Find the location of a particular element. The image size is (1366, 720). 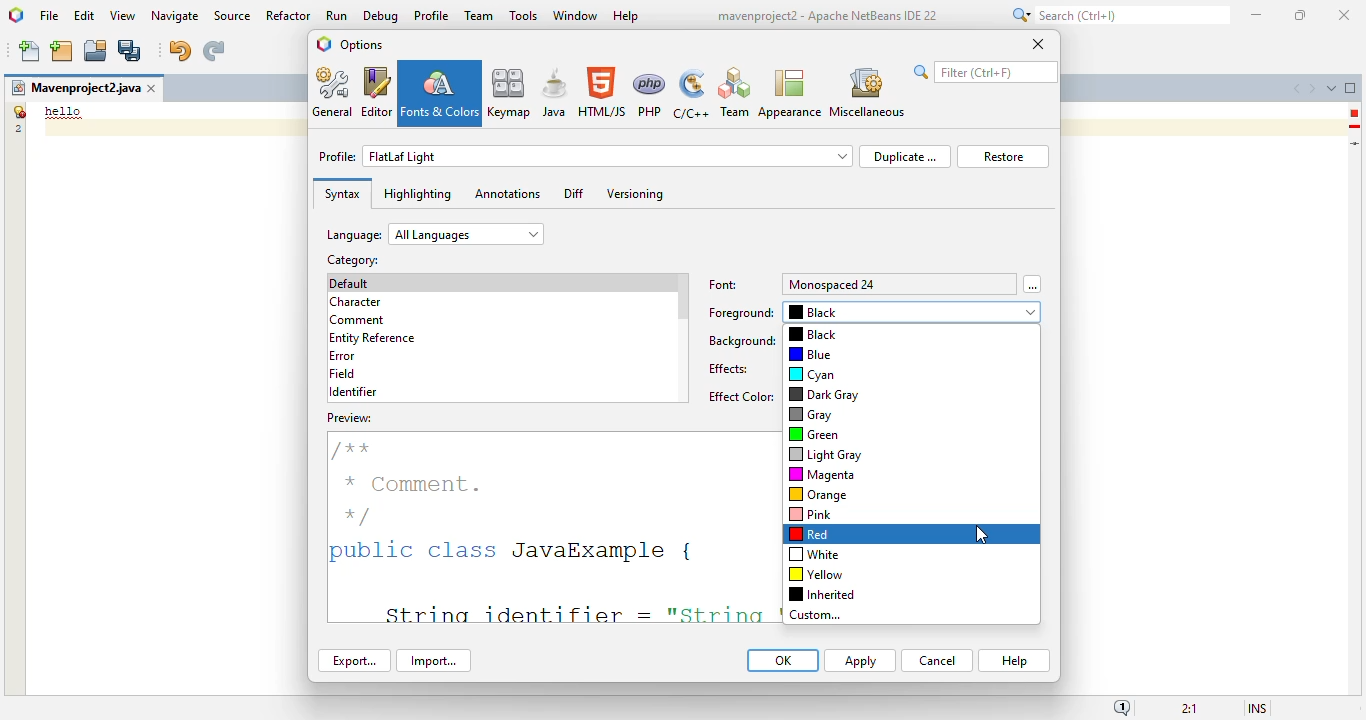

category is located at coordinates (351, 260).